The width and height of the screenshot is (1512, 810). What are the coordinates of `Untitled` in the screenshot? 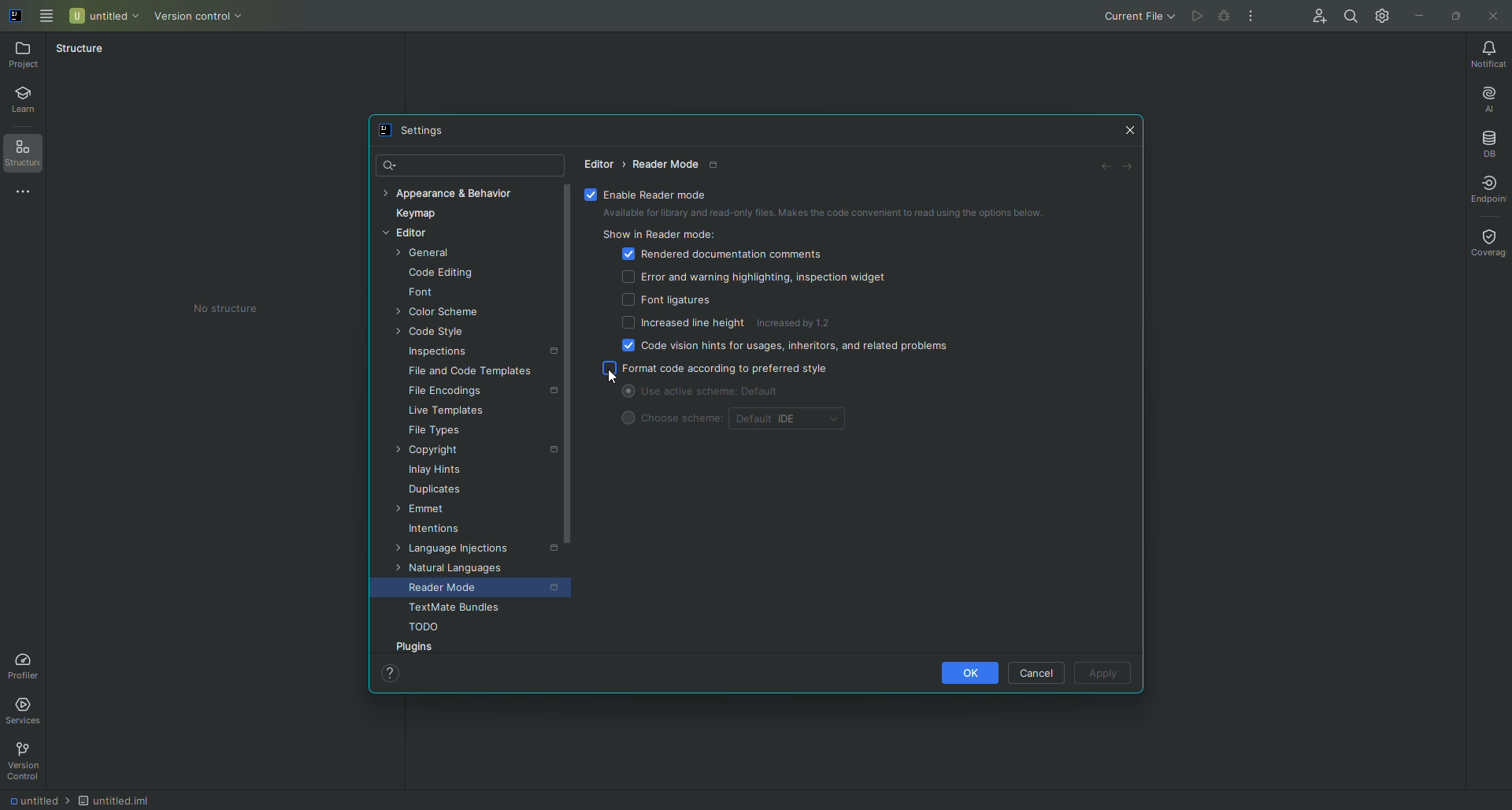 It's located at (102, 17).